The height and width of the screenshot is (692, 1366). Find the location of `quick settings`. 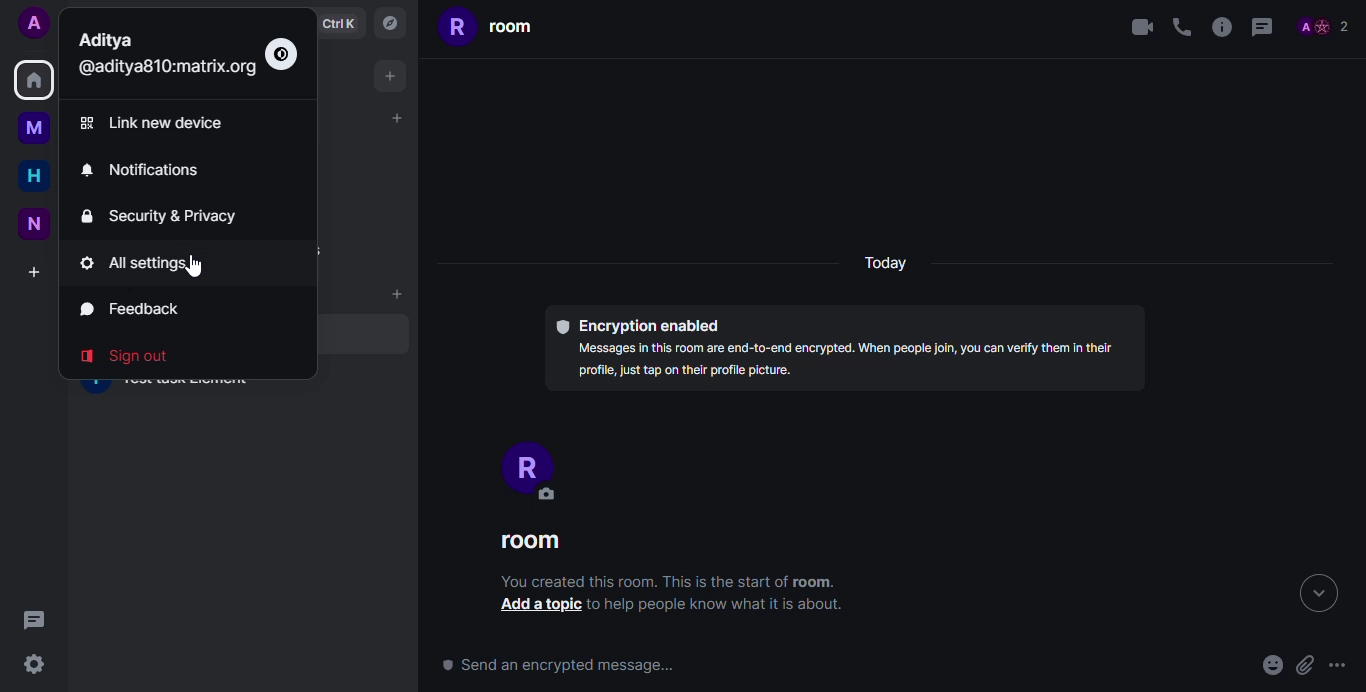

quick settings is located at coordinates (31, 662).